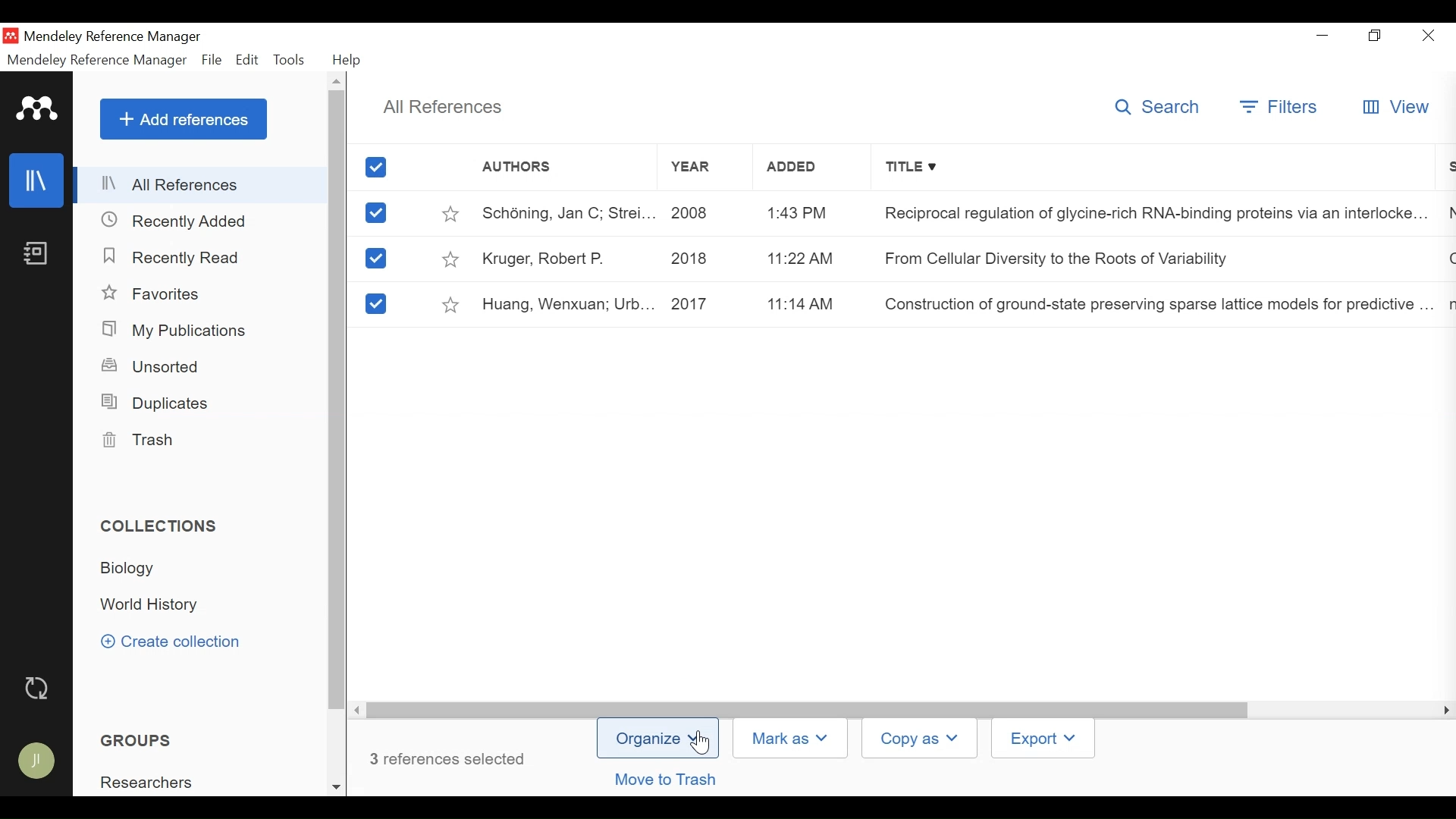  What do you see at coordinates (336, 82) in the screenshot?
I see `Scroll up` at bounding box center [336, 82].